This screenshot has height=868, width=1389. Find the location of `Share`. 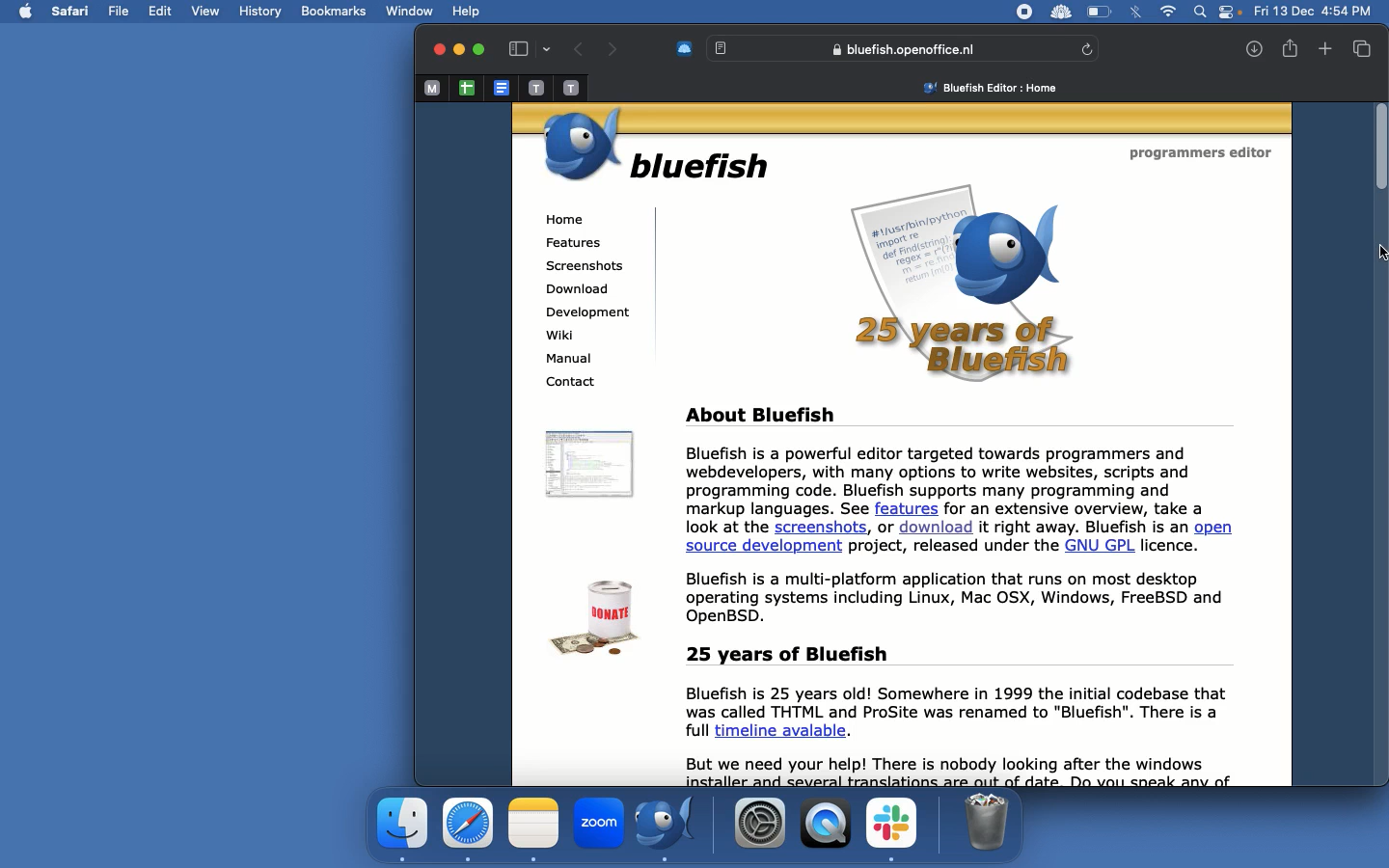

Share is located at coordinates (1290, 48).